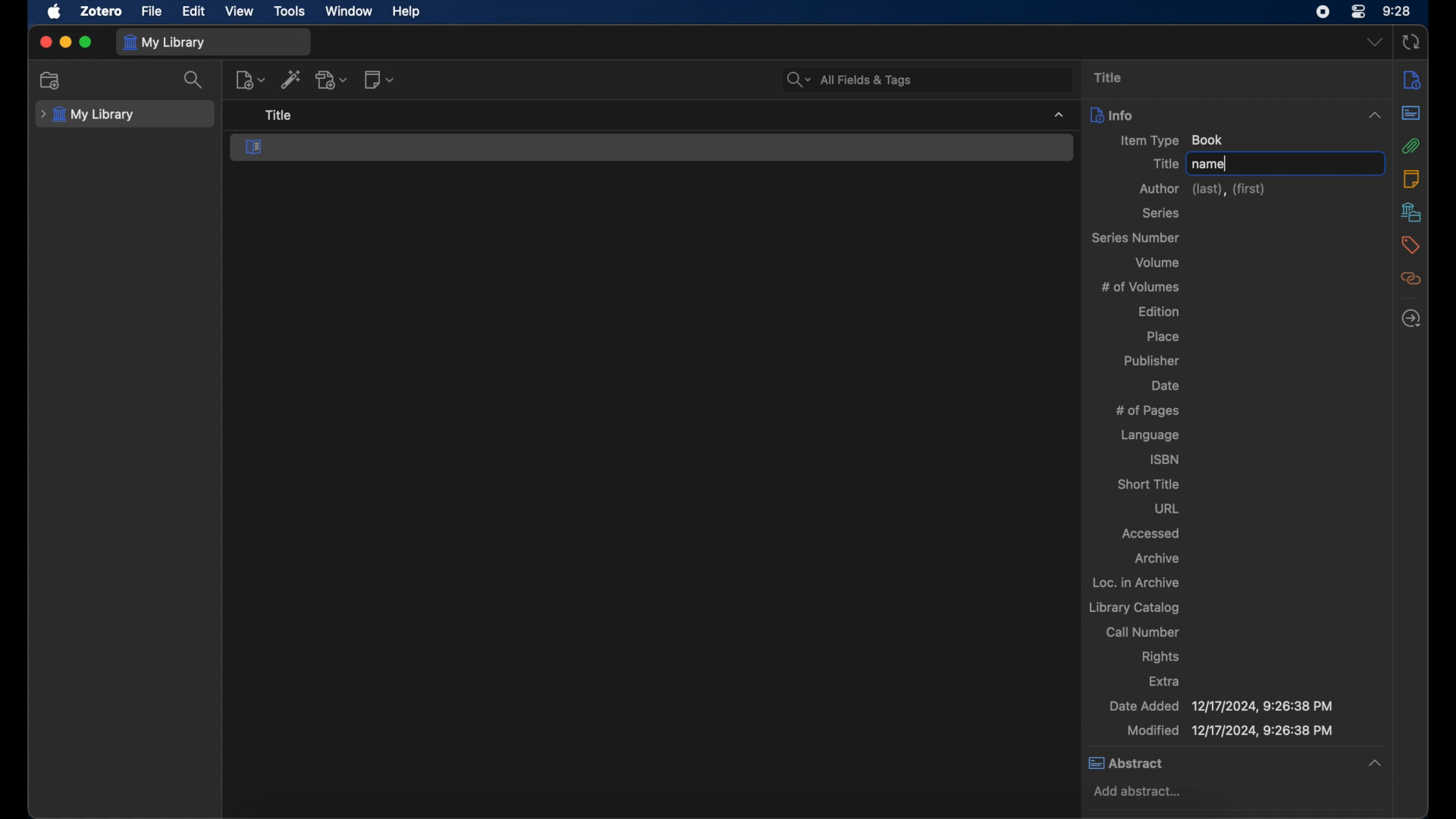  Describe the element at coordinates (1174, 140) in the screenshot. I see `item type` at that location.